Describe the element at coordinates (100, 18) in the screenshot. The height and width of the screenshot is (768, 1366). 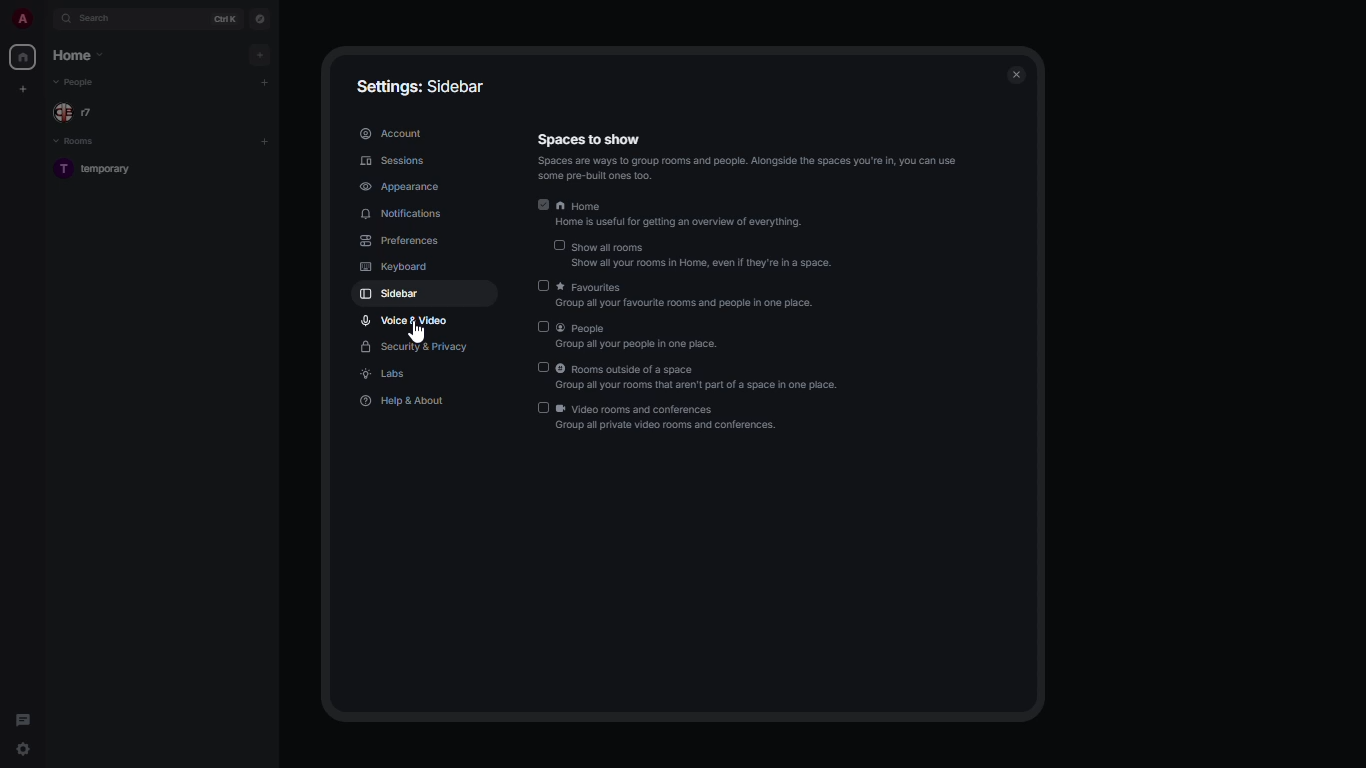
I see `search` at that location.